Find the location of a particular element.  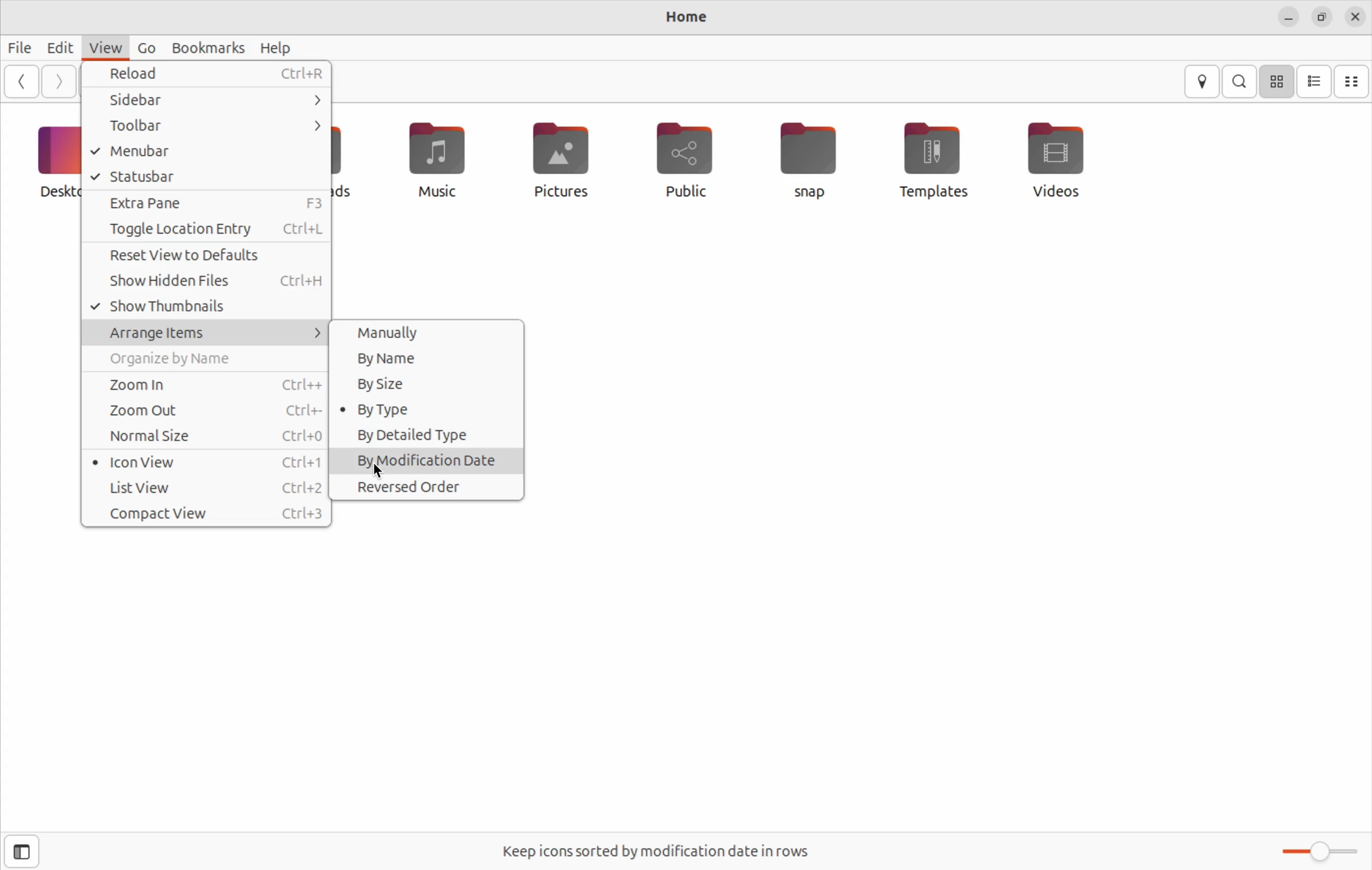

files is located at coordinates (20, 44).